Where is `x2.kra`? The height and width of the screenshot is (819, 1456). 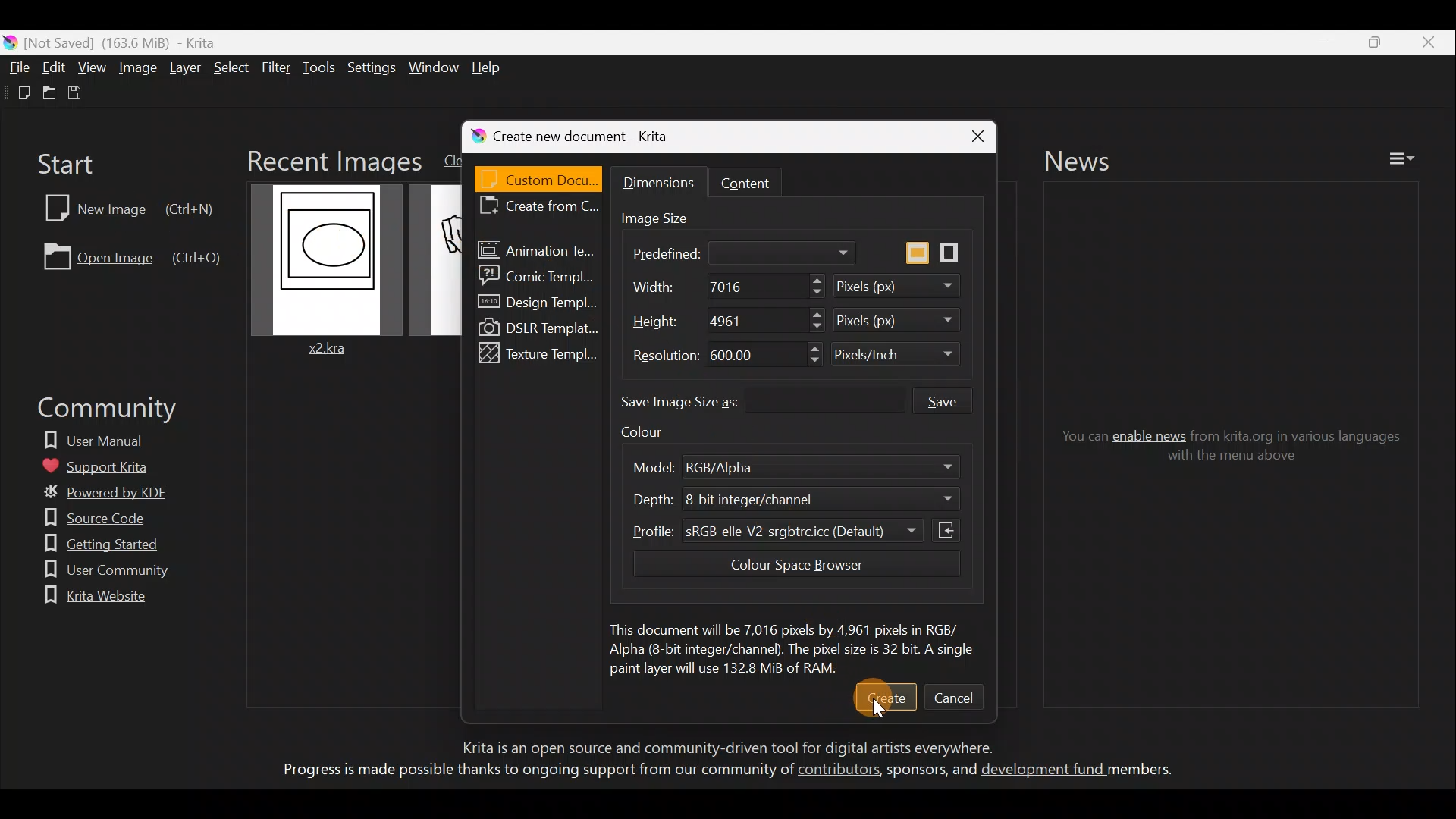
x2.kra is located at coordinates (335, 271).